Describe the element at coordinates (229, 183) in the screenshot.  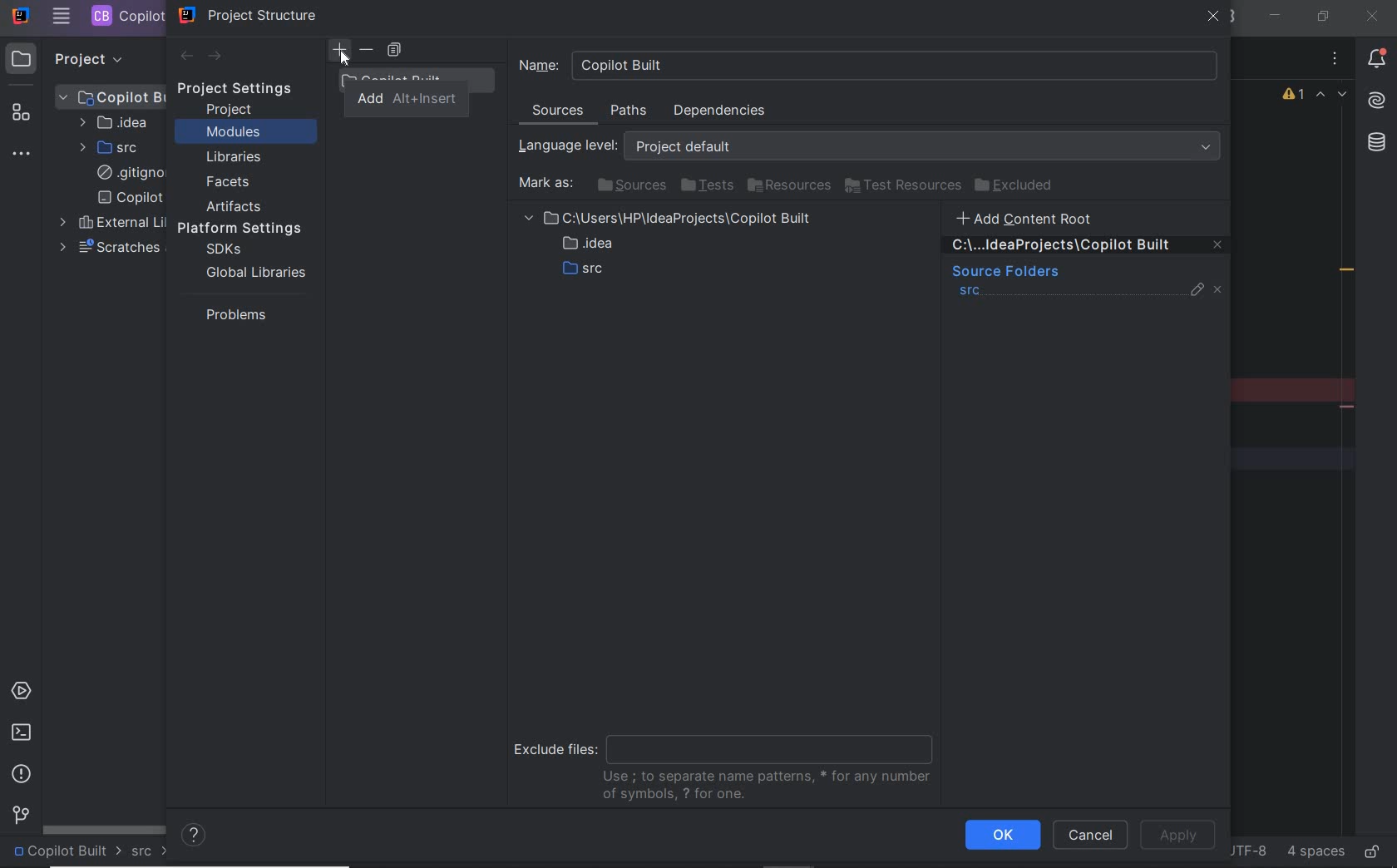
I see `facets` at that location.